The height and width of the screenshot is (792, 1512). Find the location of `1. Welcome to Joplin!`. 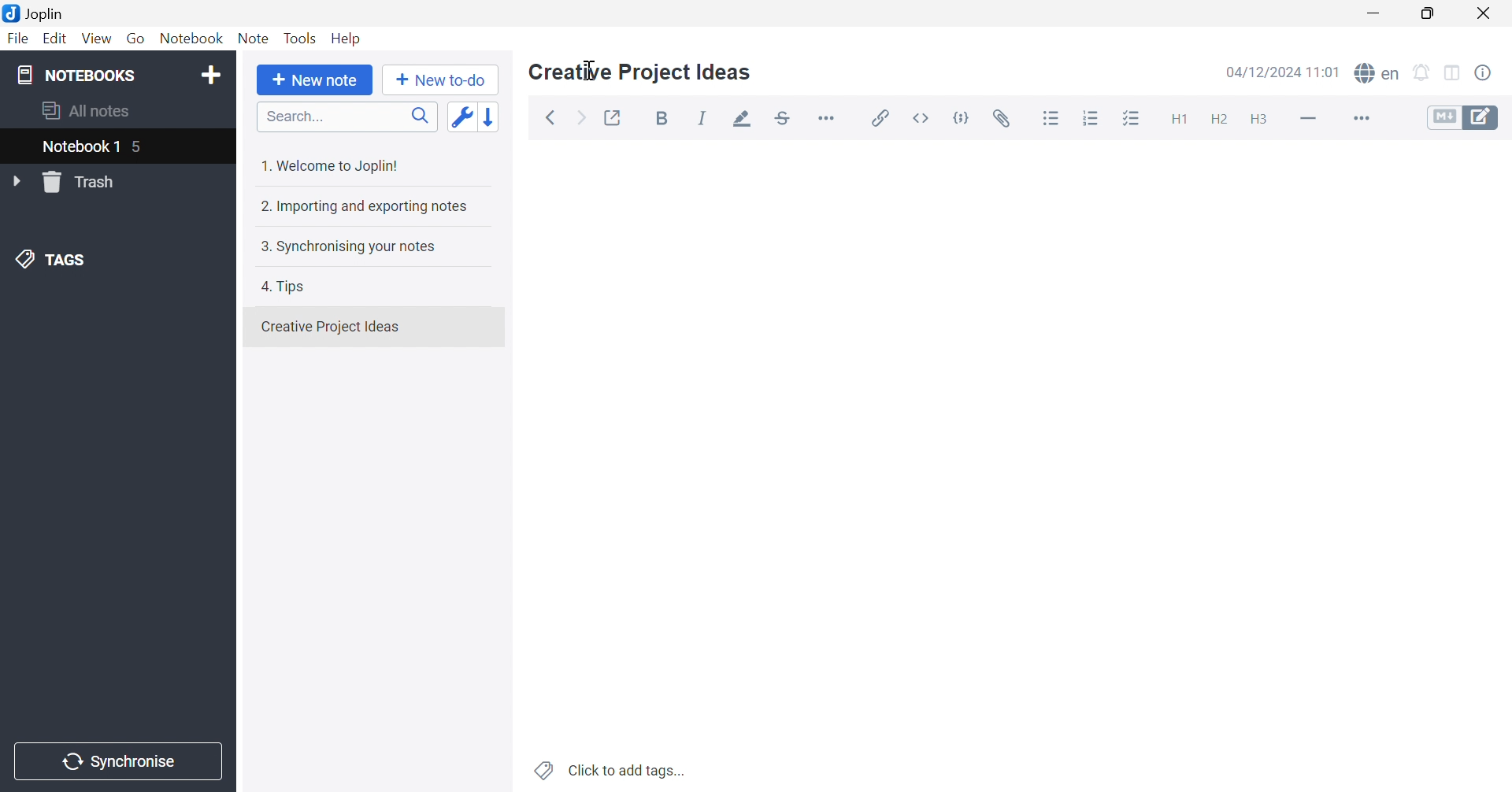

1. Welcome to Joplin! is located at coordinates (336, 163).